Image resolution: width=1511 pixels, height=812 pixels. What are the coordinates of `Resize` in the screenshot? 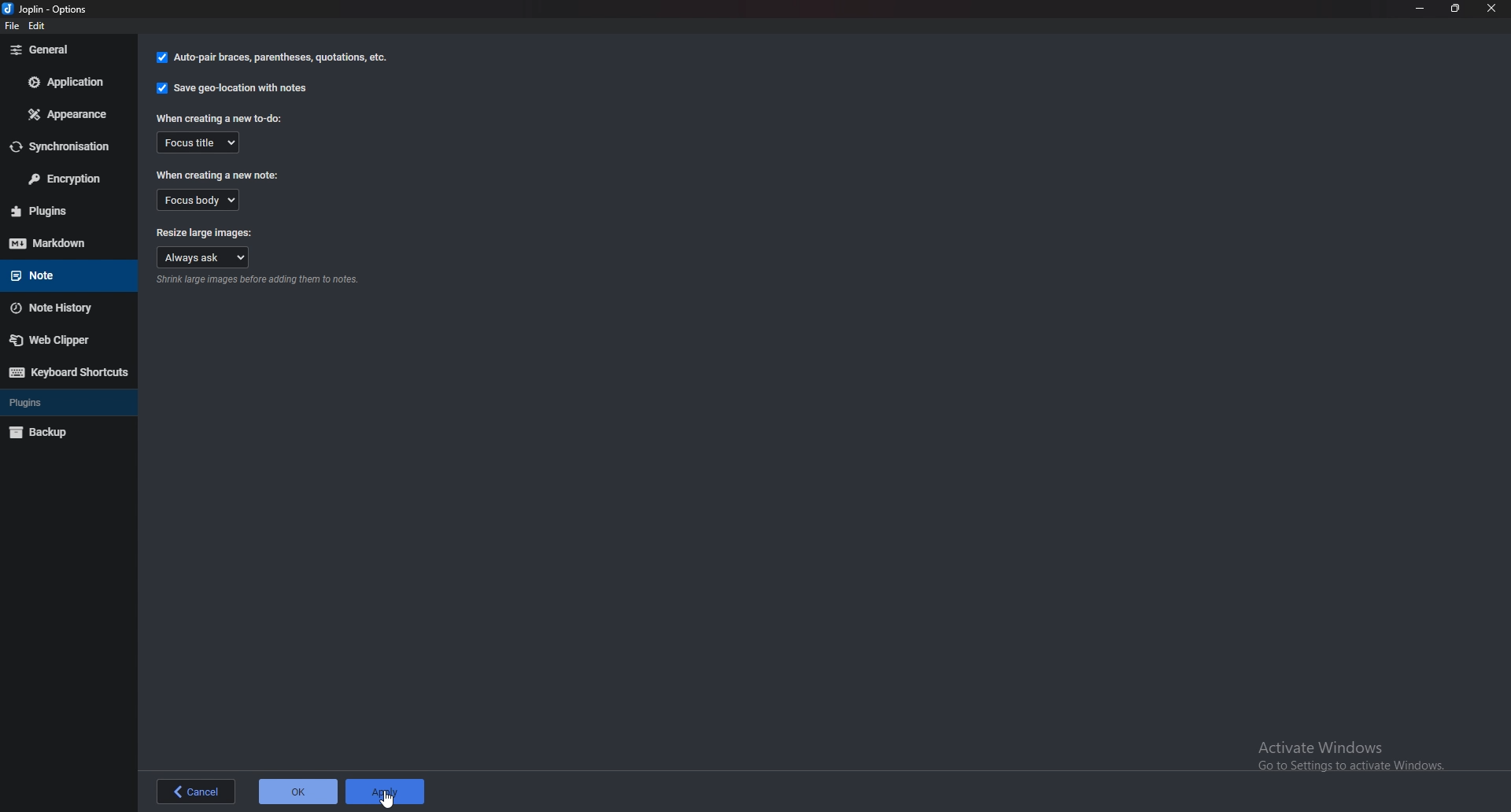 It's located at (1456, 8).